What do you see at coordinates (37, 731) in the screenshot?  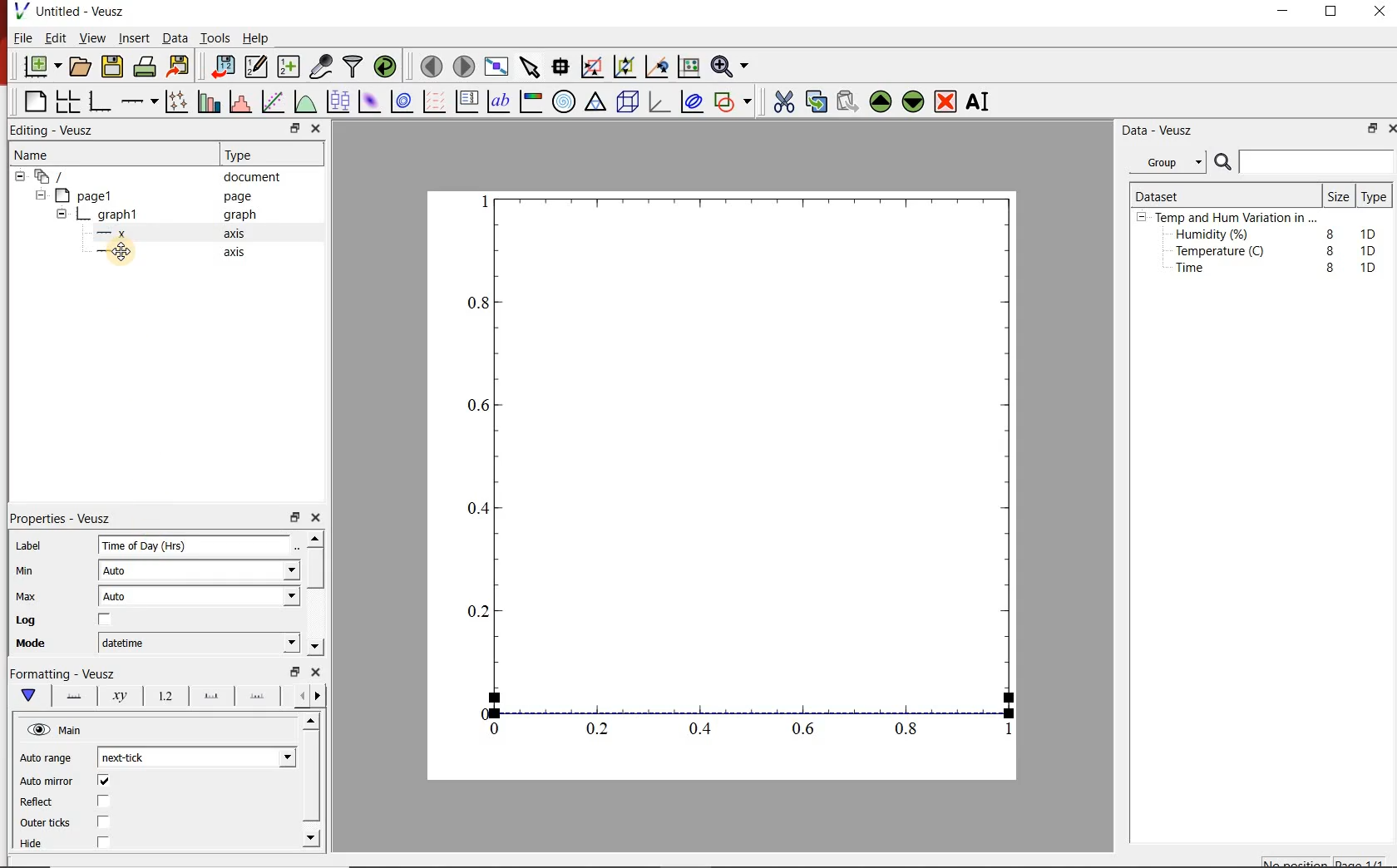 I see `visible (click to hide, set Hide to true)` at bounding box center [37, 731].